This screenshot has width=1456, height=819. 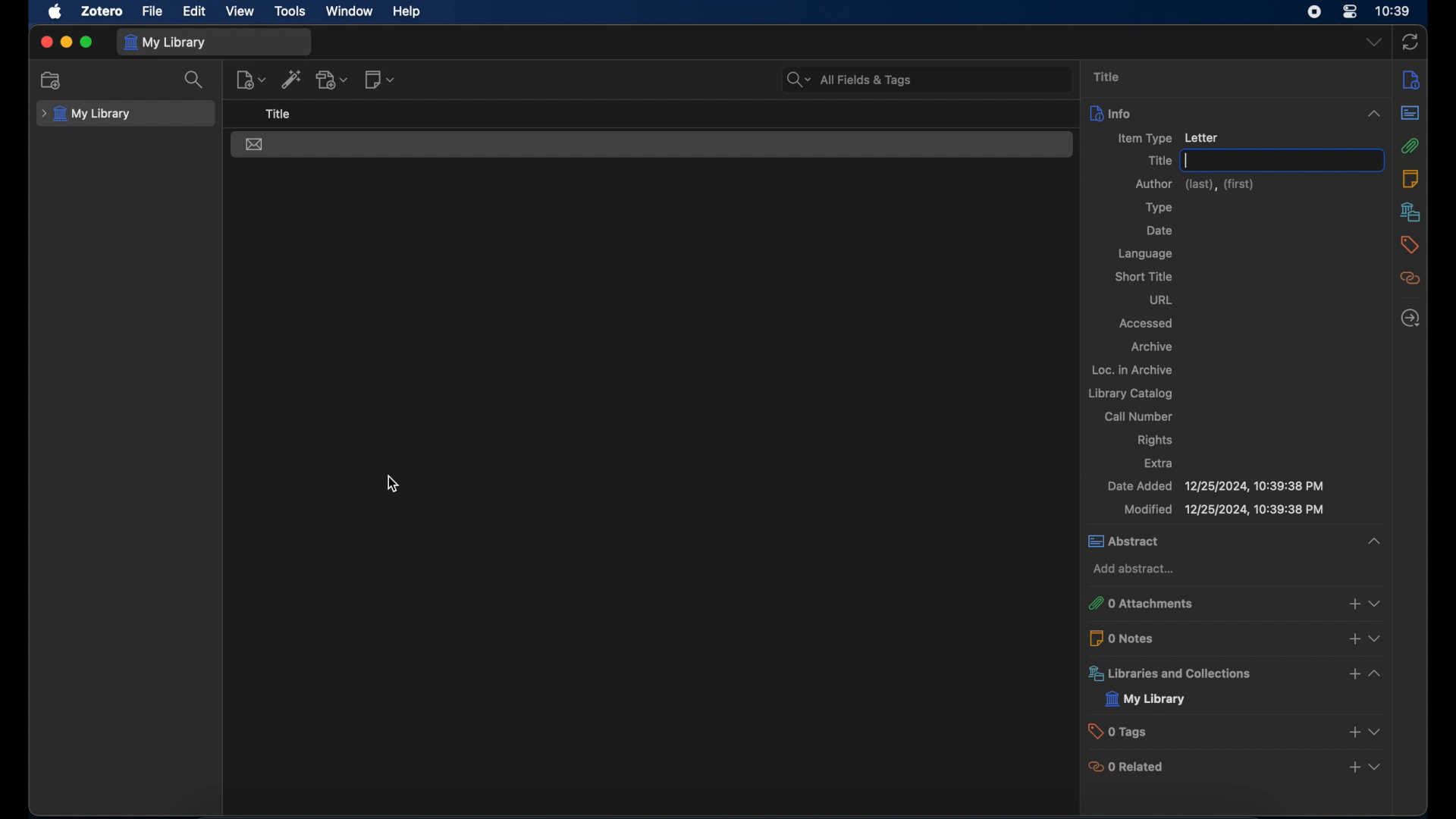 I want to click on info, so click(x=1237, y=113).